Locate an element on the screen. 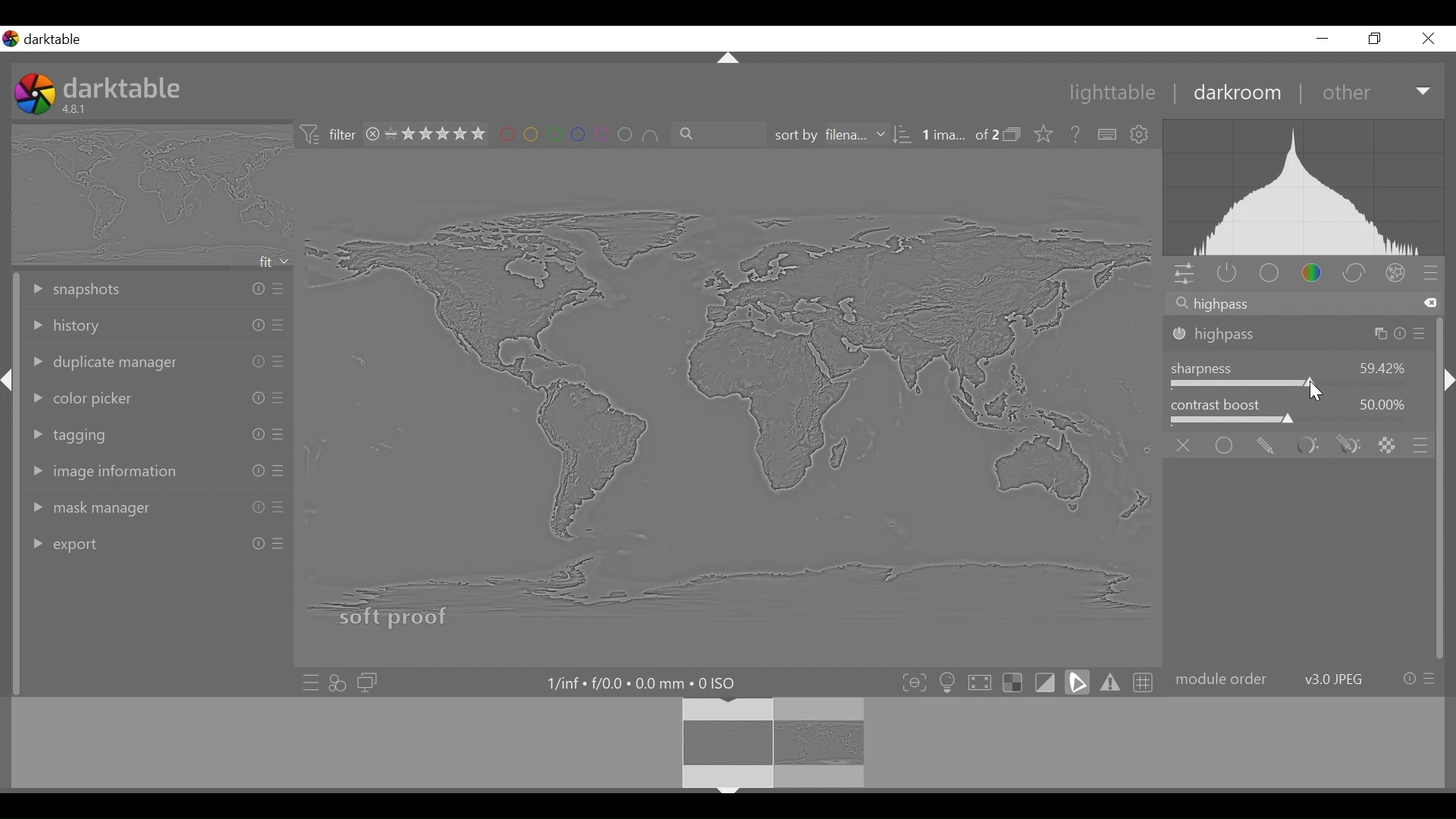 The height and width of the screenshot is (819, 1456). quick access panel is located at coordinates (1184, 275).